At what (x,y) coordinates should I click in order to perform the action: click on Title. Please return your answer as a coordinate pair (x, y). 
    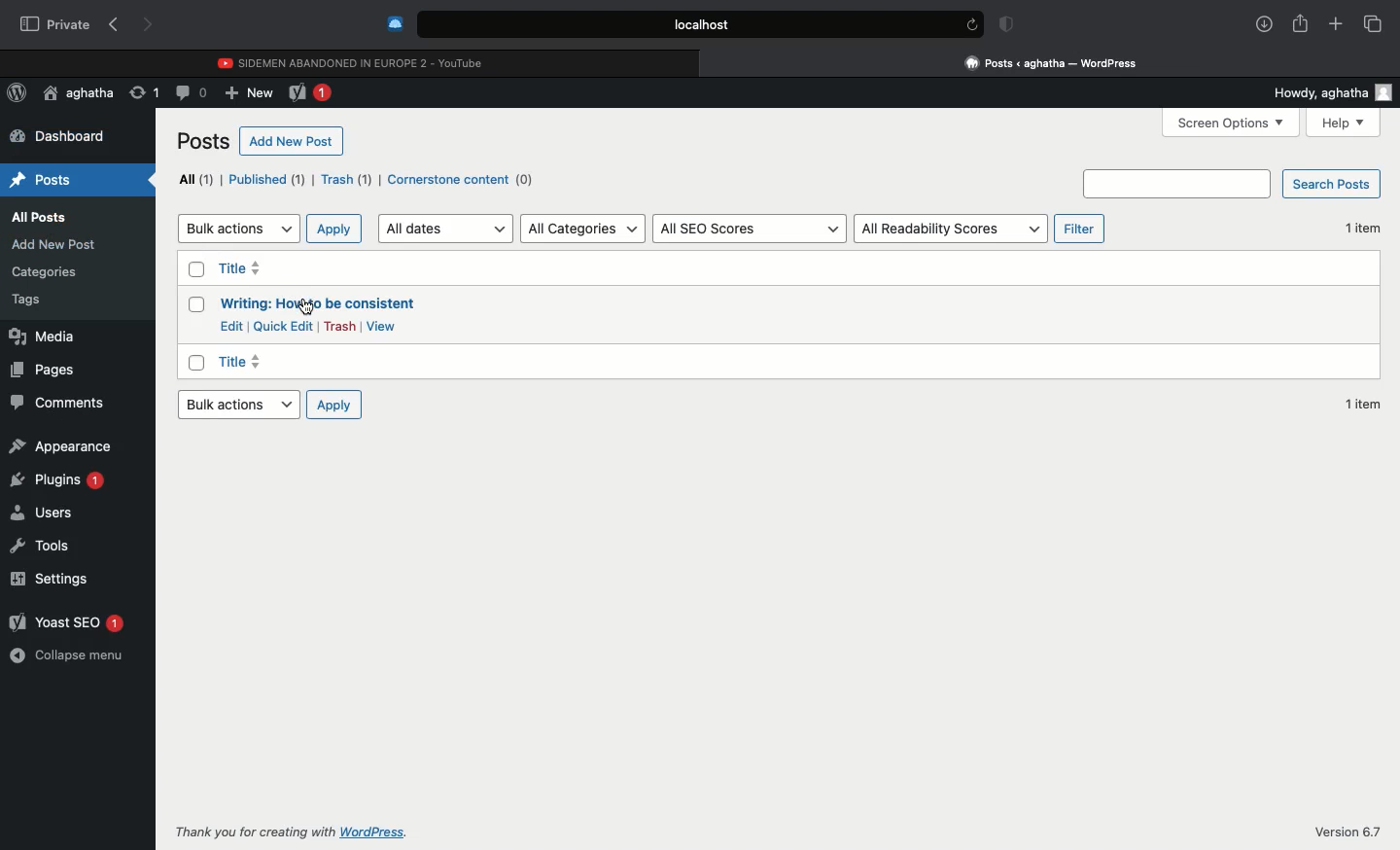
    Looking at the image, I should click on (241, 362).